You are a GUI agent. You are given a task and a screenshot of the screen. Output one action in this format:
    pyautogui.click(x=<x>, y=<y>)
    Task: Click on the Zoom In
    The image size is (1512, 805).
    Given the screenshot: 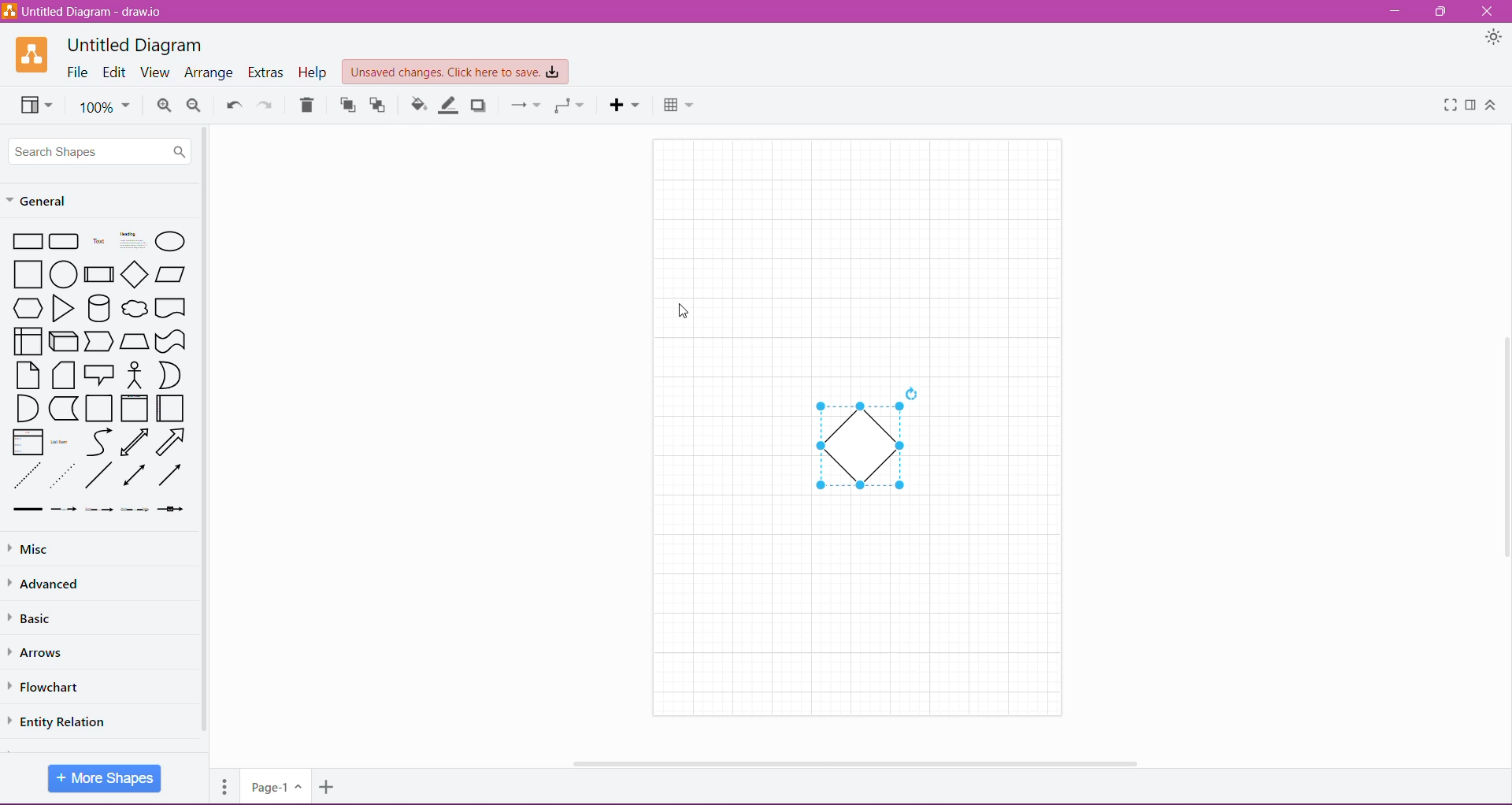 What is the action you would take?
    pyautogui.click(x=164, y=106)
    